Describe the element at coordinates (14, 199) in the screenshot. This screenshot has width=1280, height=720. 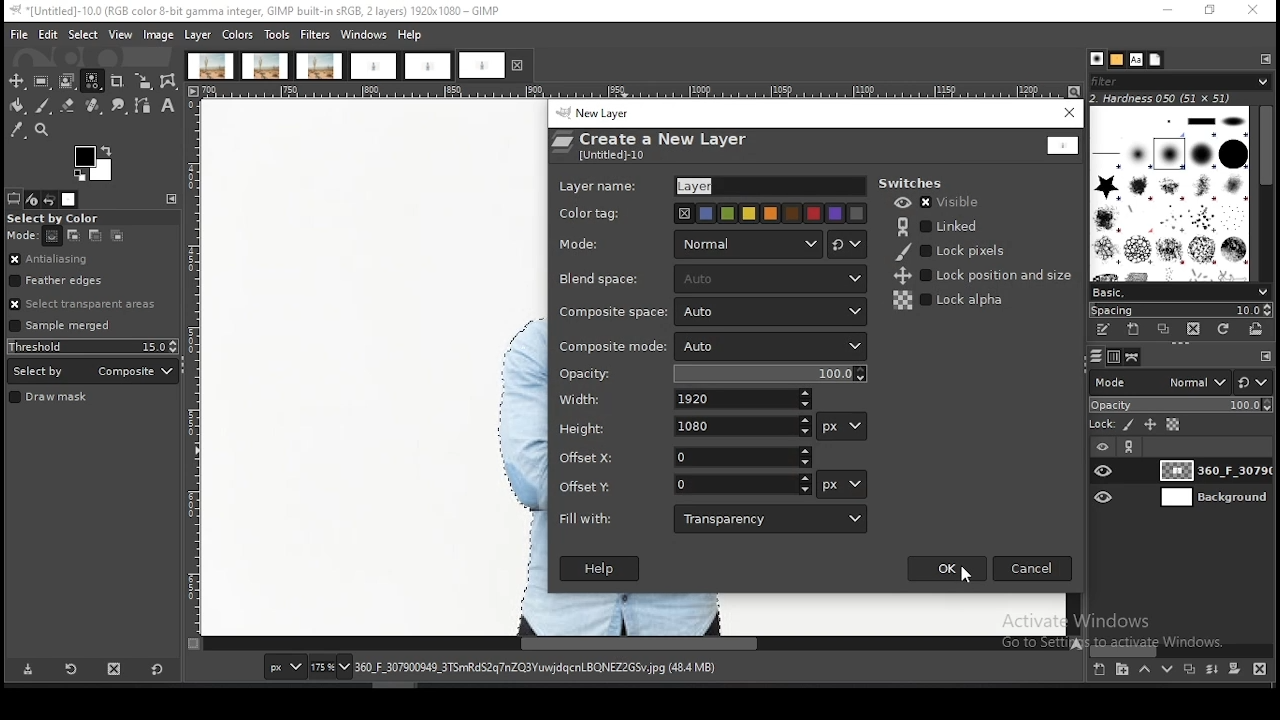
I see `tool options` at that location.